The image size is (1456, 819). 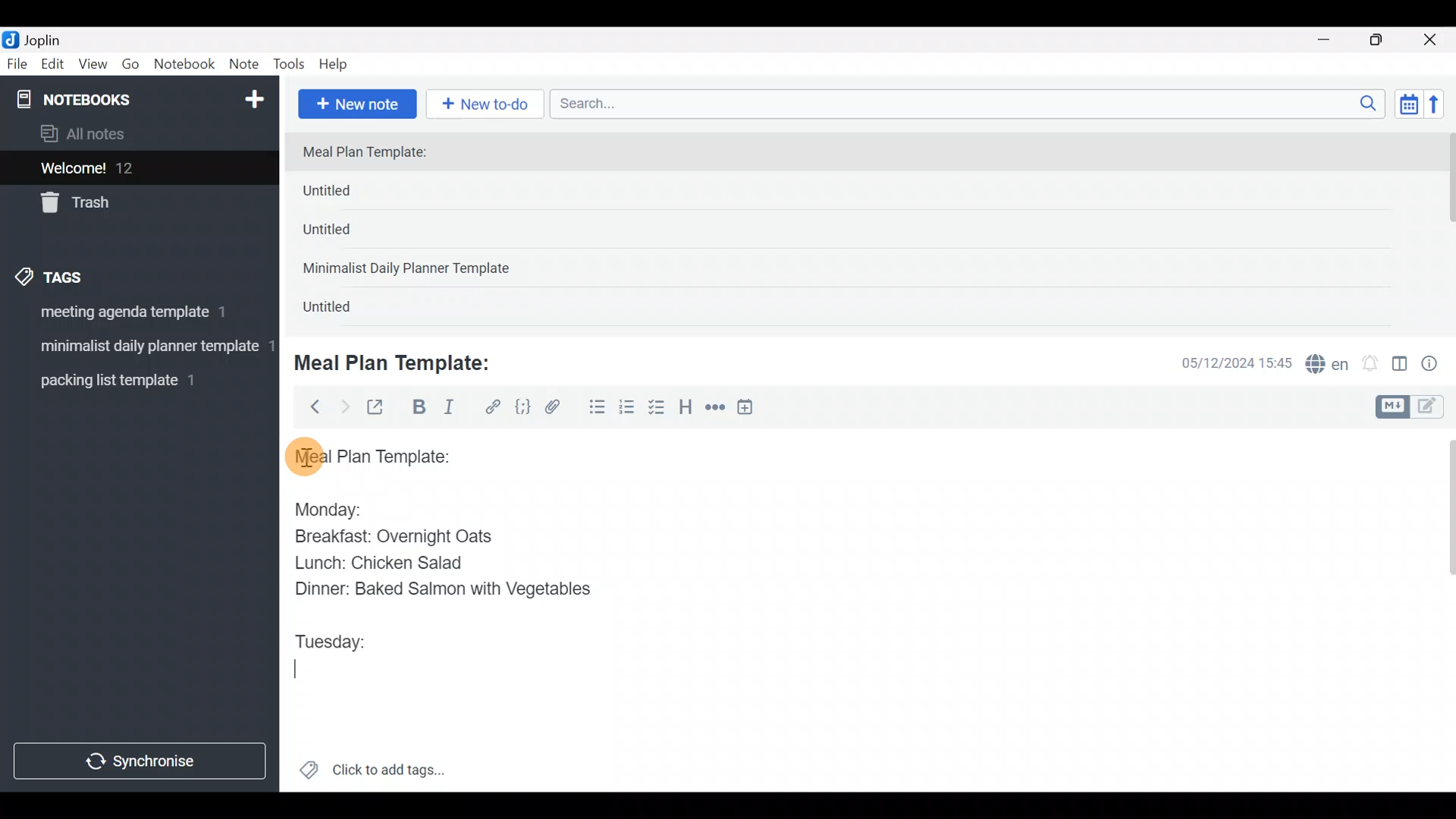 What do you see at coordinates (352, 194) in the screenshot?
I see `Untitled` at bounding box center [352, 194].